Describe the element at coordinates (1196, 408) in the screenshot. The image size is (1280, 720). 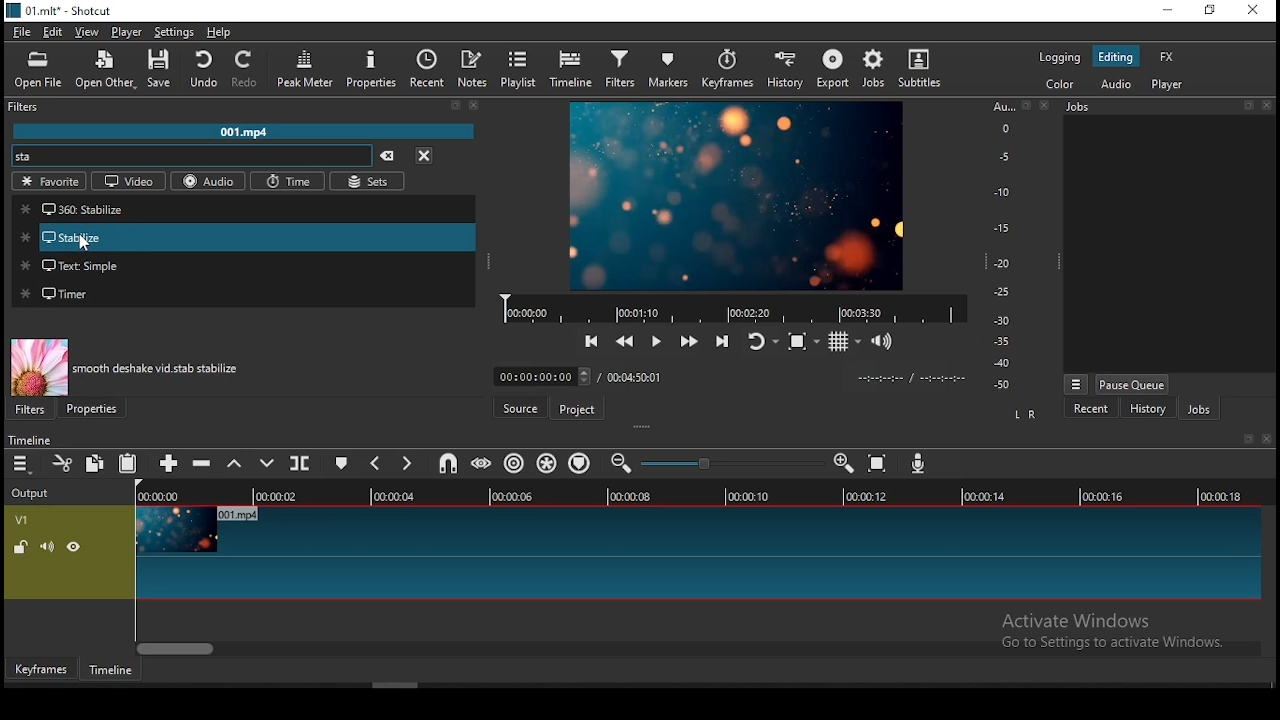
I see `jobs` at that location.